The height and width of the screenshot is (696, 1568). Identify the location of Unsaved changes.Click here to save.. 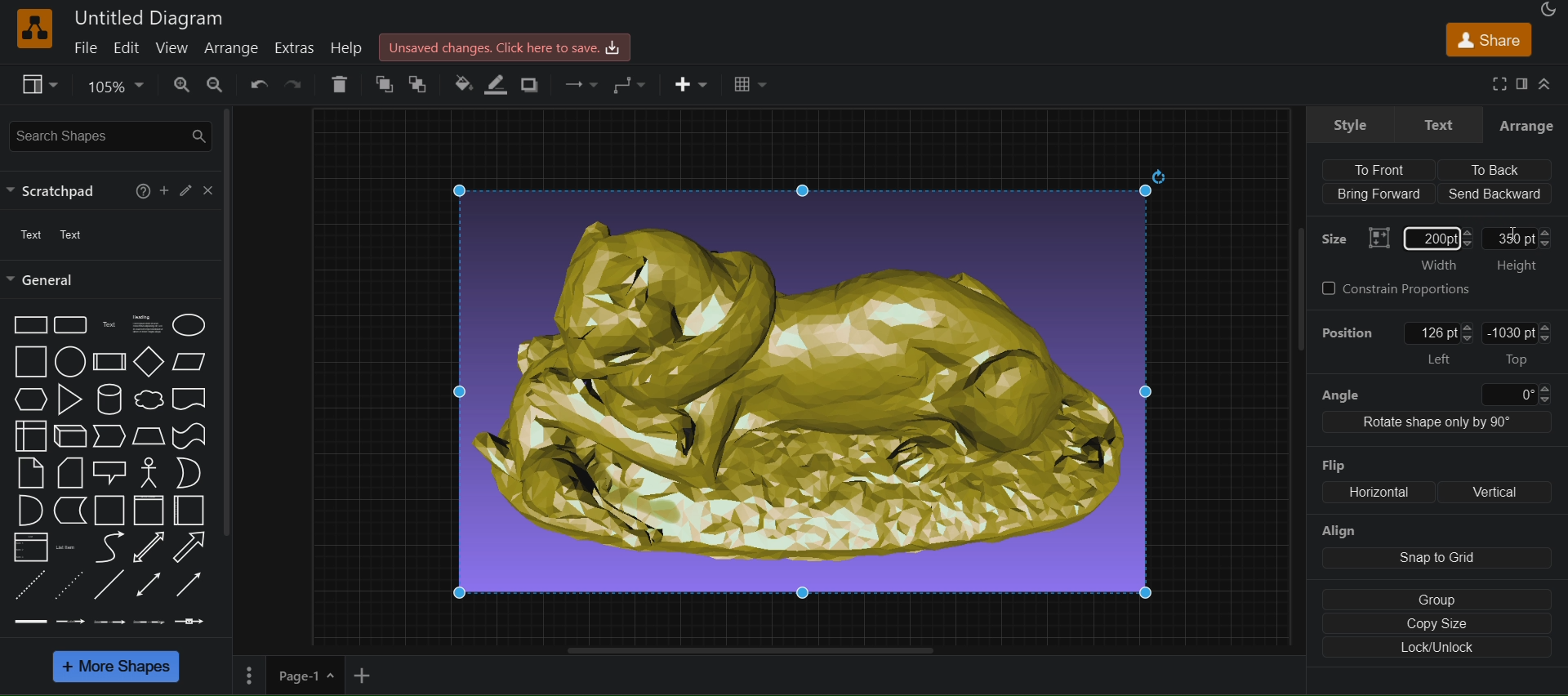
(505, 46).